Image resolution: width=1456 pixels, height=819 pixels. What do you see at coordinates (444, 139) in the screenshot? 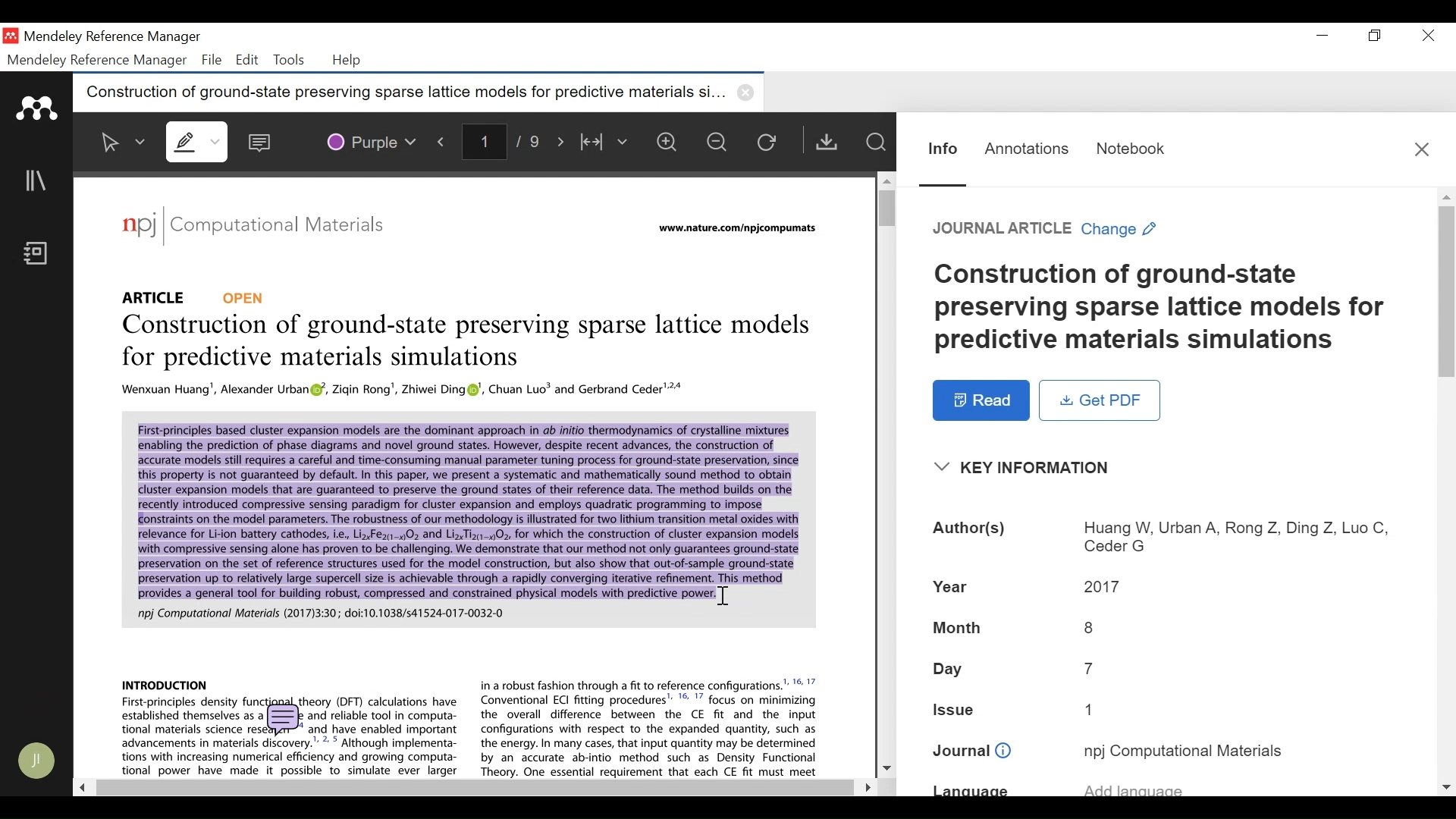
I see `Previous Page` at bounding box center [444, 139].